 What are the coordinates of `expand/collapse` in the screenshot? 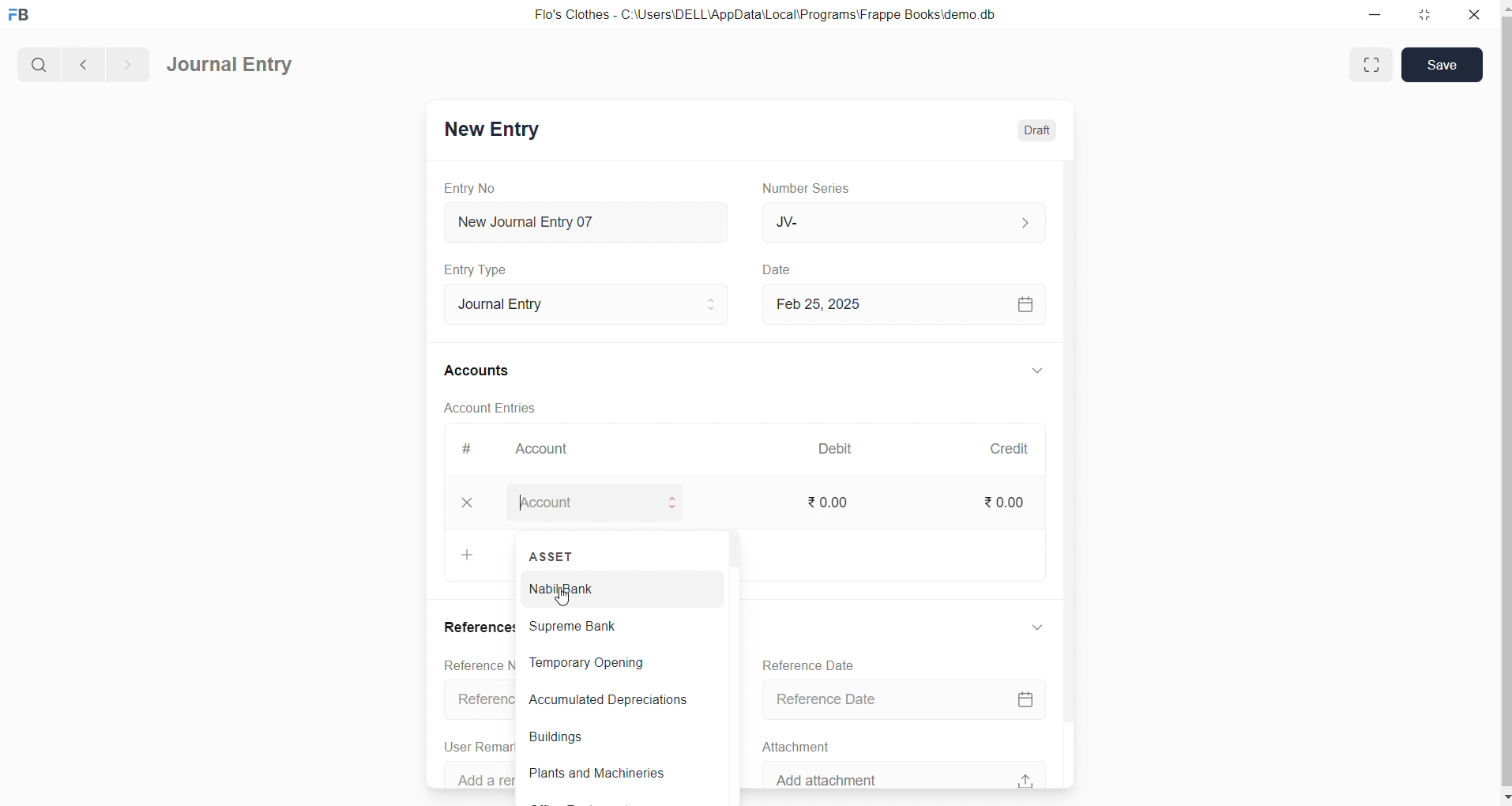 It's located at (1040, 627).